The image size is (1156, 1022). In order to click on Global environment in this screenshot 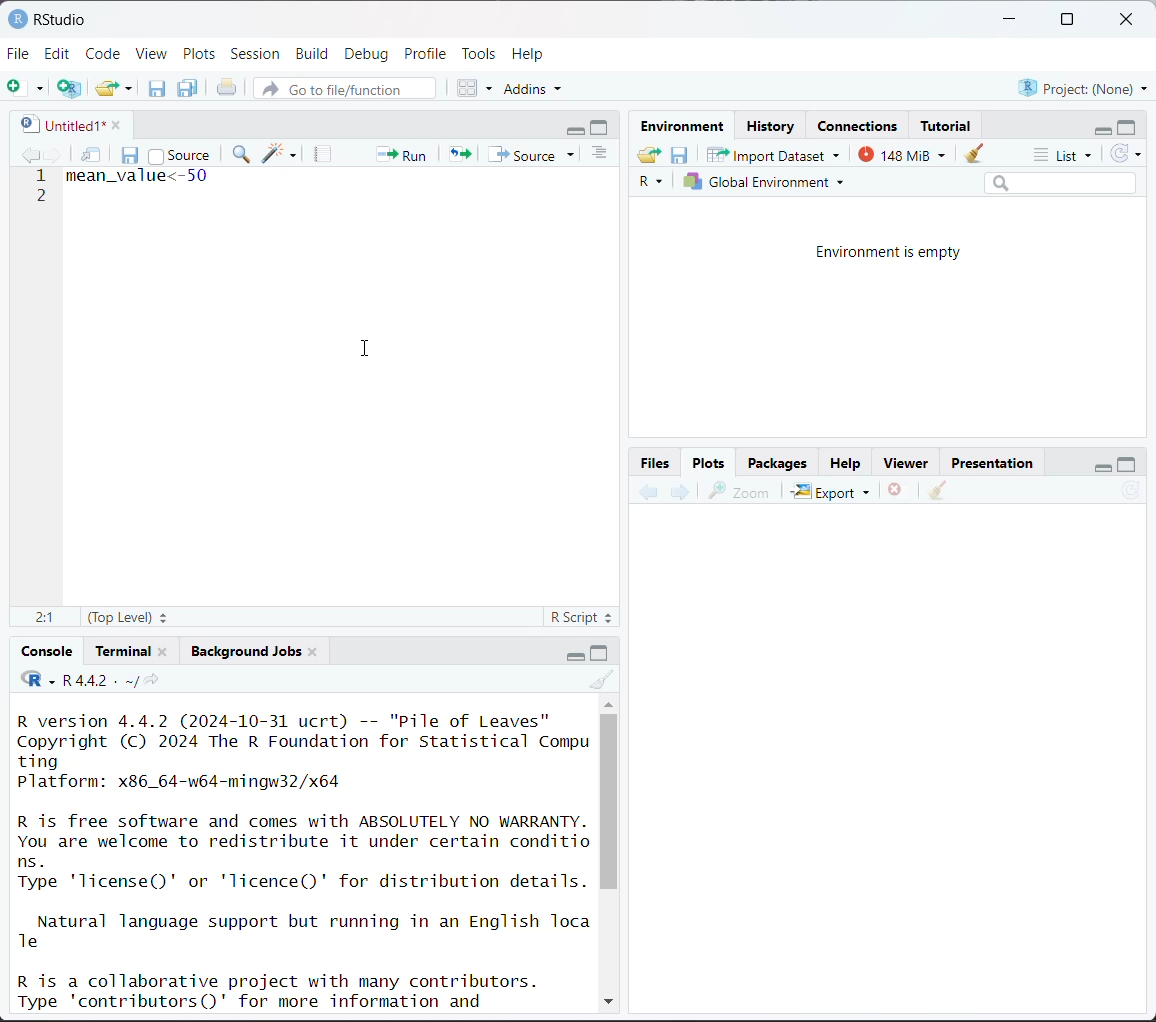, I will do `click(765, 182)`.